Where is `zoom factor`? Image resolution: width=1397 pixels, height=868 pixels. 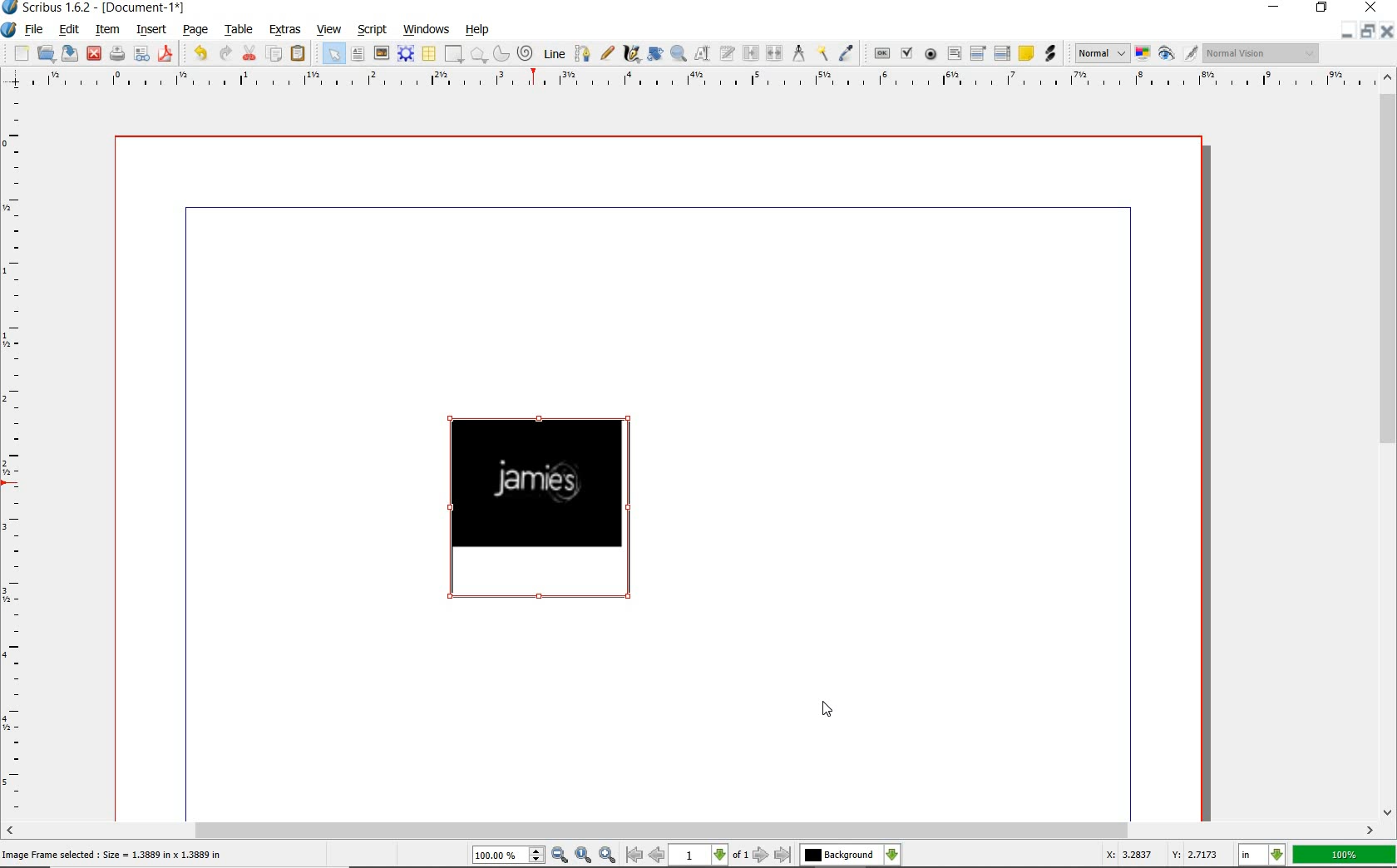 zoom factor is located at coordinates (1345, 856).